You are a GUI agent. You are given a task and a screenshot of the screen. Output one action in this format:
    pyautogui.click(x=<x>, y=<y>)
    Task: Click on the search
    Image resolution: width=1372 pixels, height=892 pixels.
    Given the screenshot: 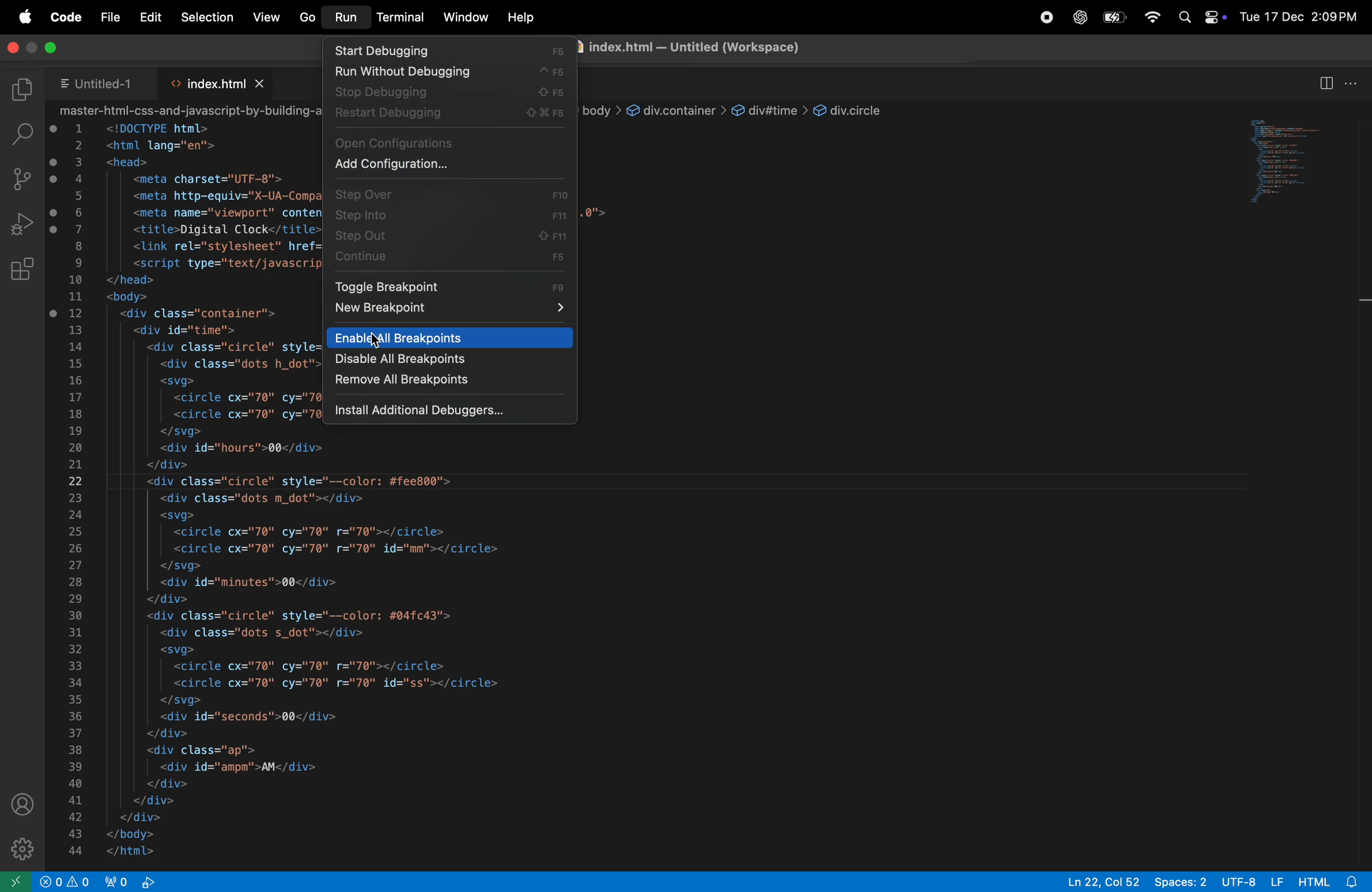 What is the action you would take?
    pyautogui.click(x=1185, y=18)
    